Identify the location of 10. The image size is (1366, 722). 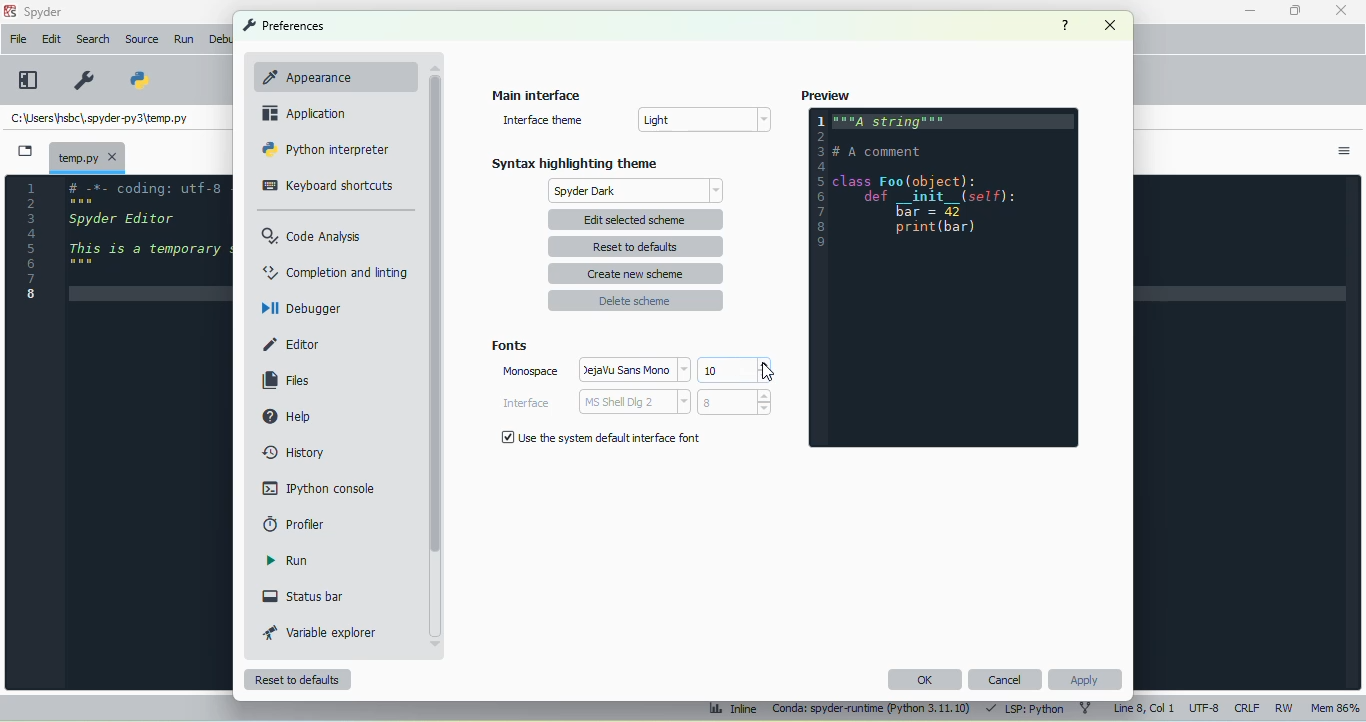
(726, 370).